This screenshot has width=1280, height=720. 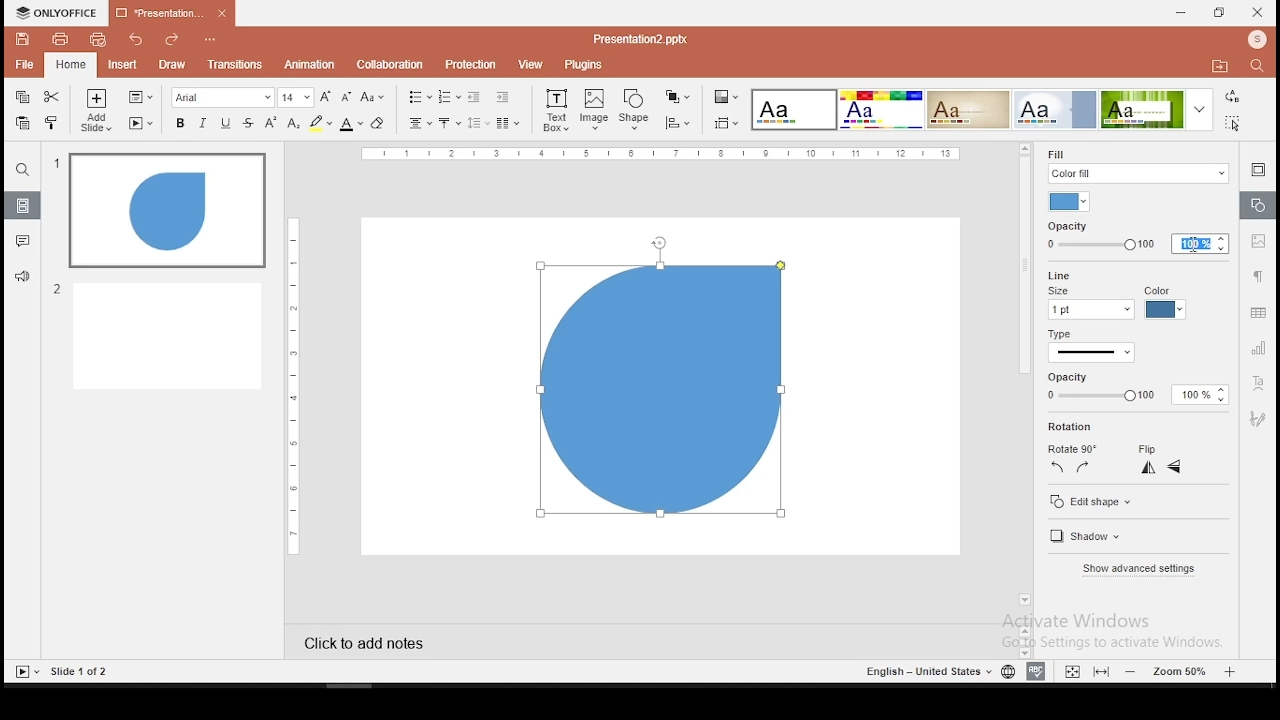 What do you see at coordinates (1090, 303) in the screenshot?
I see `line size` at bounding box center [1090, 303].